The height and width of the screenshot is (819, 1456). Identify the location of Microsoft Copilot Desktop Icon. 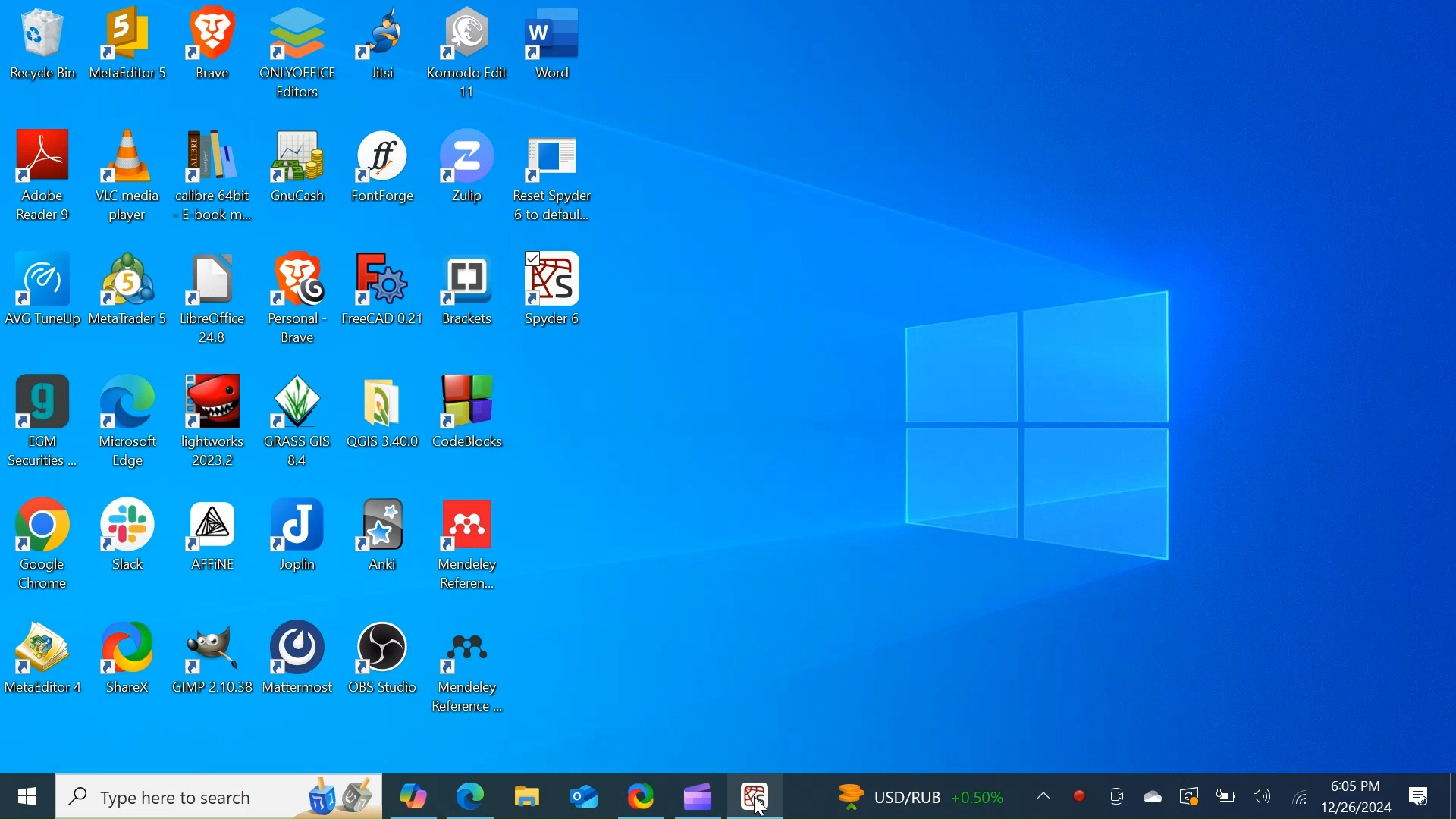
(412, 796).